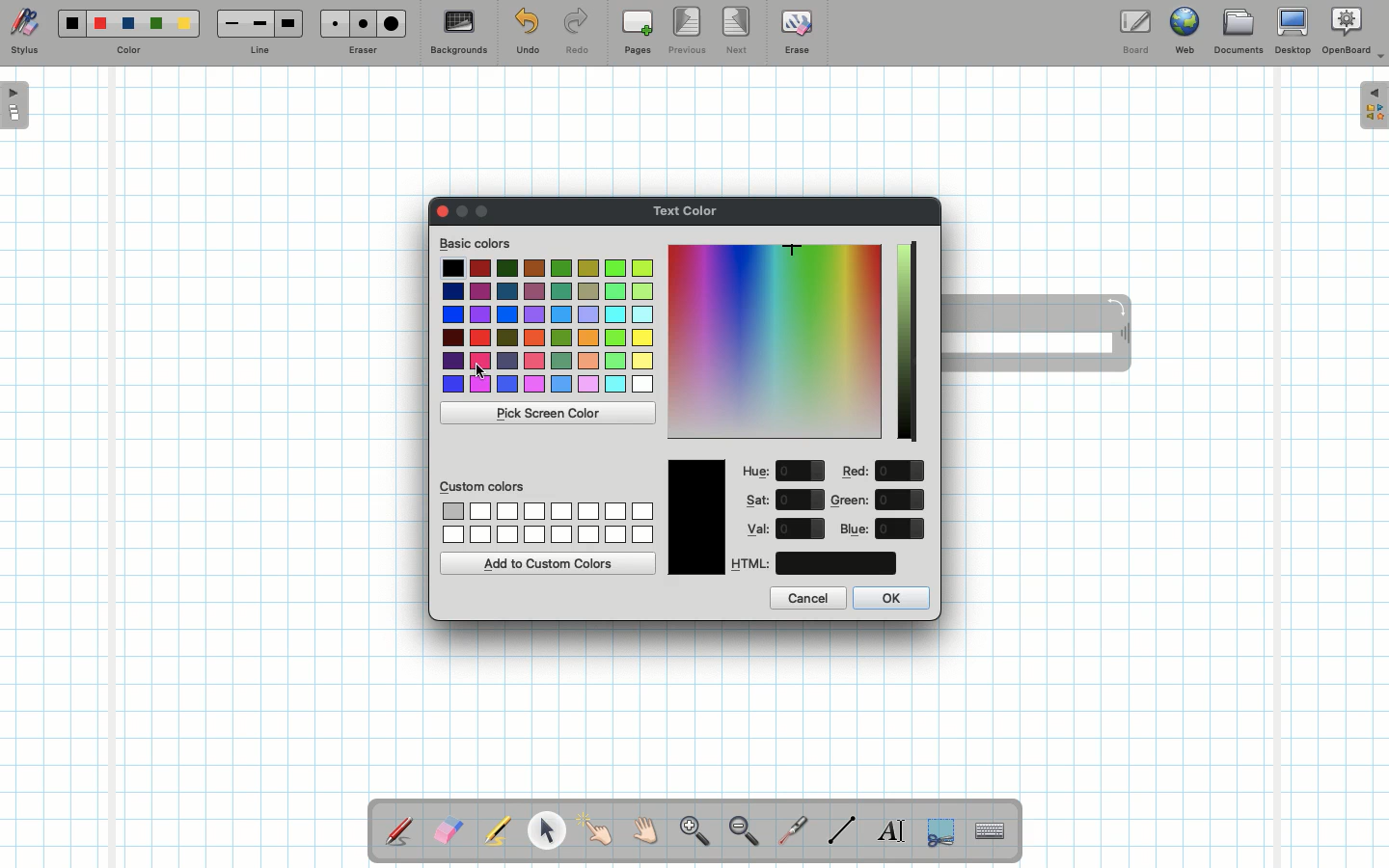  Describe the element at coordinates (259, 51) in the screenshot. I see `Line` at that location.